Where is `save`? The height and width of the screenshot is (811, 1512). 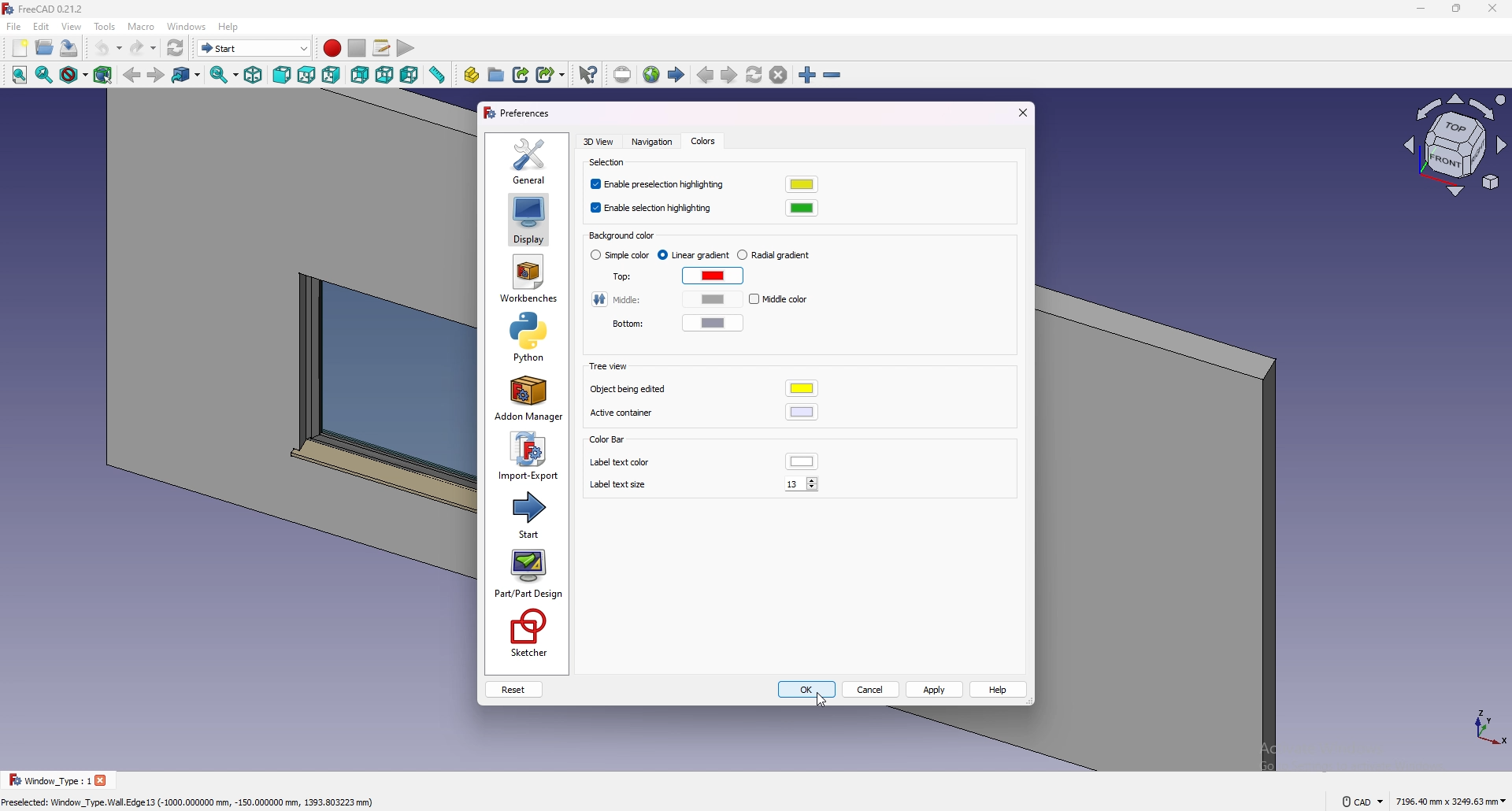
save is located at coordinates (69, 47).